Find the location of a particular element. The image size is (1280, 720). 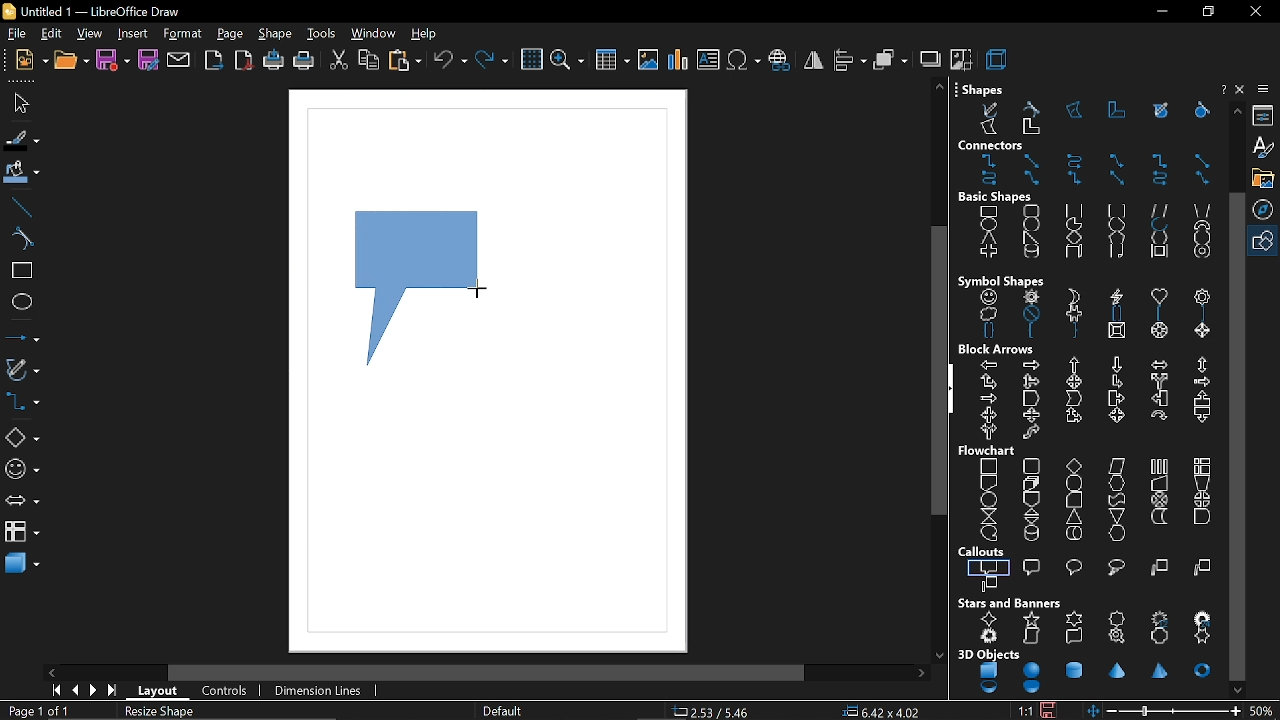

shadow is located at coordinates (929, 58).